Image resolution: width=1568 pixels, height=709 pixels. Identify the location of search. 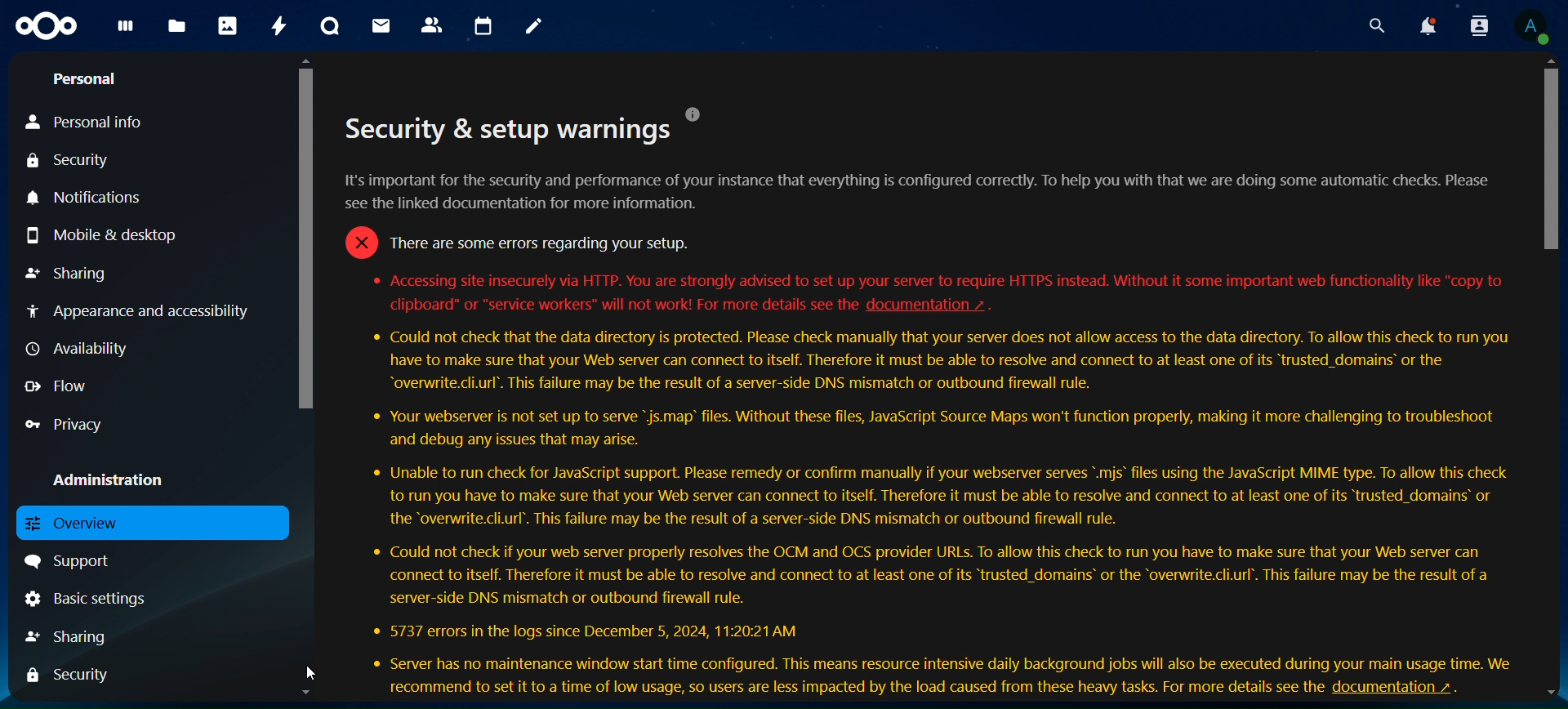
(1368, 25).